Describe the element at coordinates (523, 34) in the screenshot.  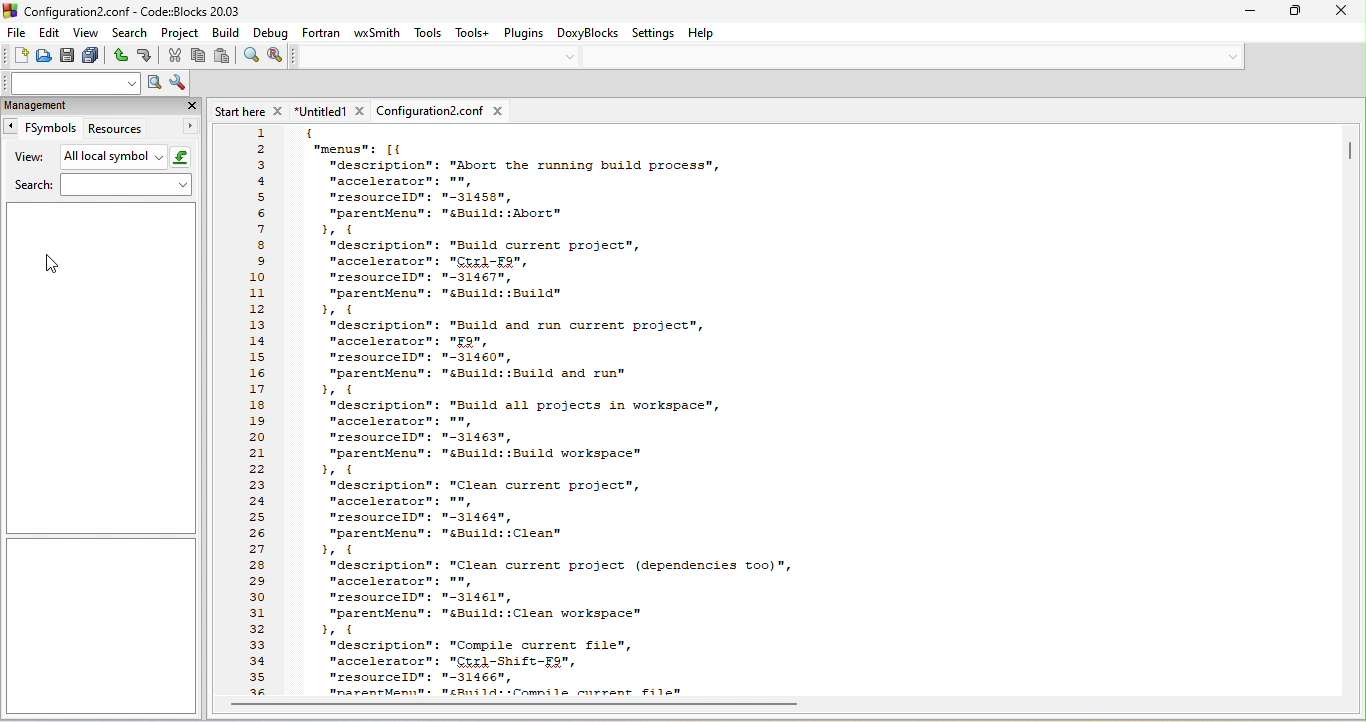
I see `plugins` at that location.